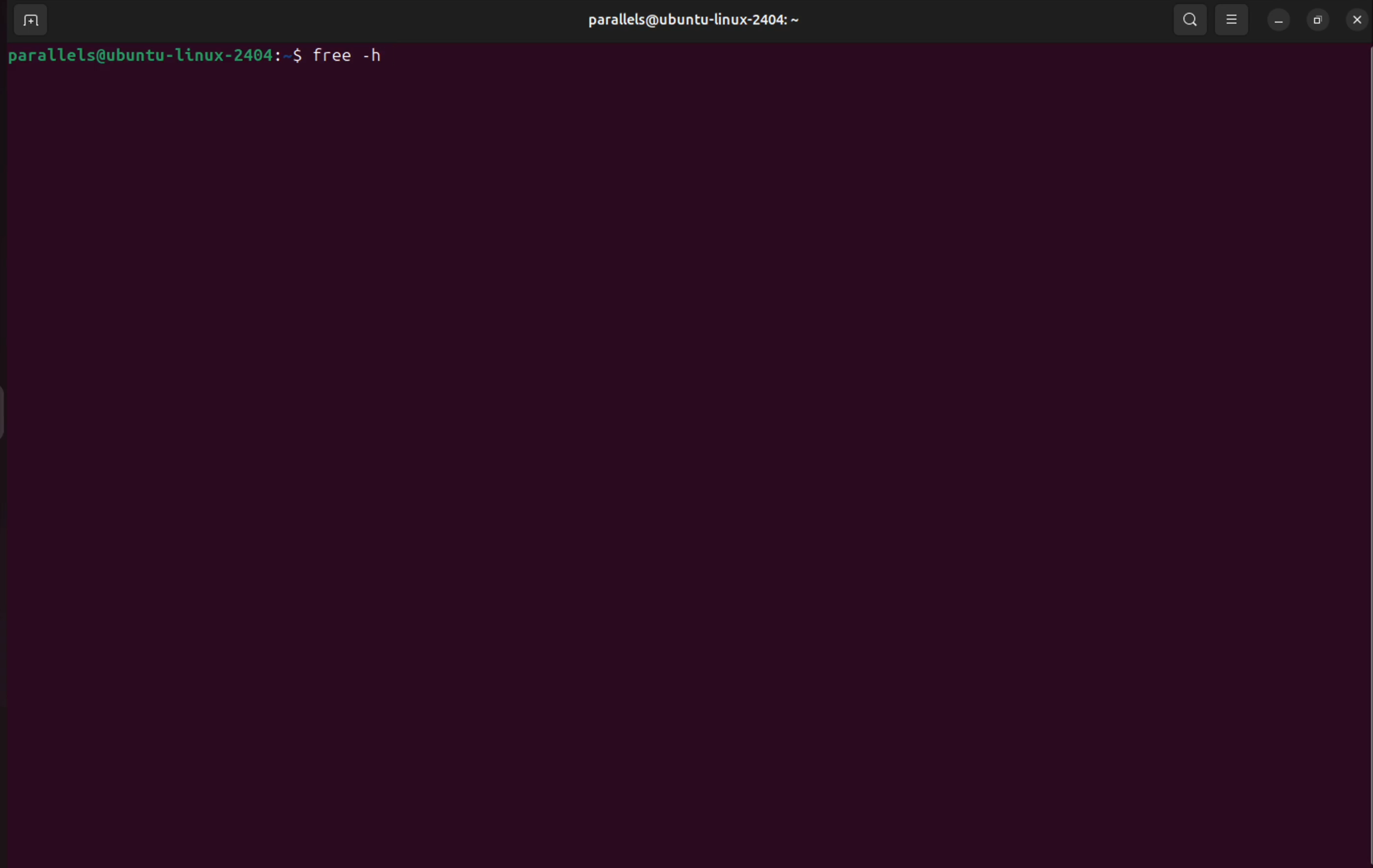  What do you see at coordinates (27, 21) in the screenshot?
I see `add terminal` at bounding box center [27, 21].